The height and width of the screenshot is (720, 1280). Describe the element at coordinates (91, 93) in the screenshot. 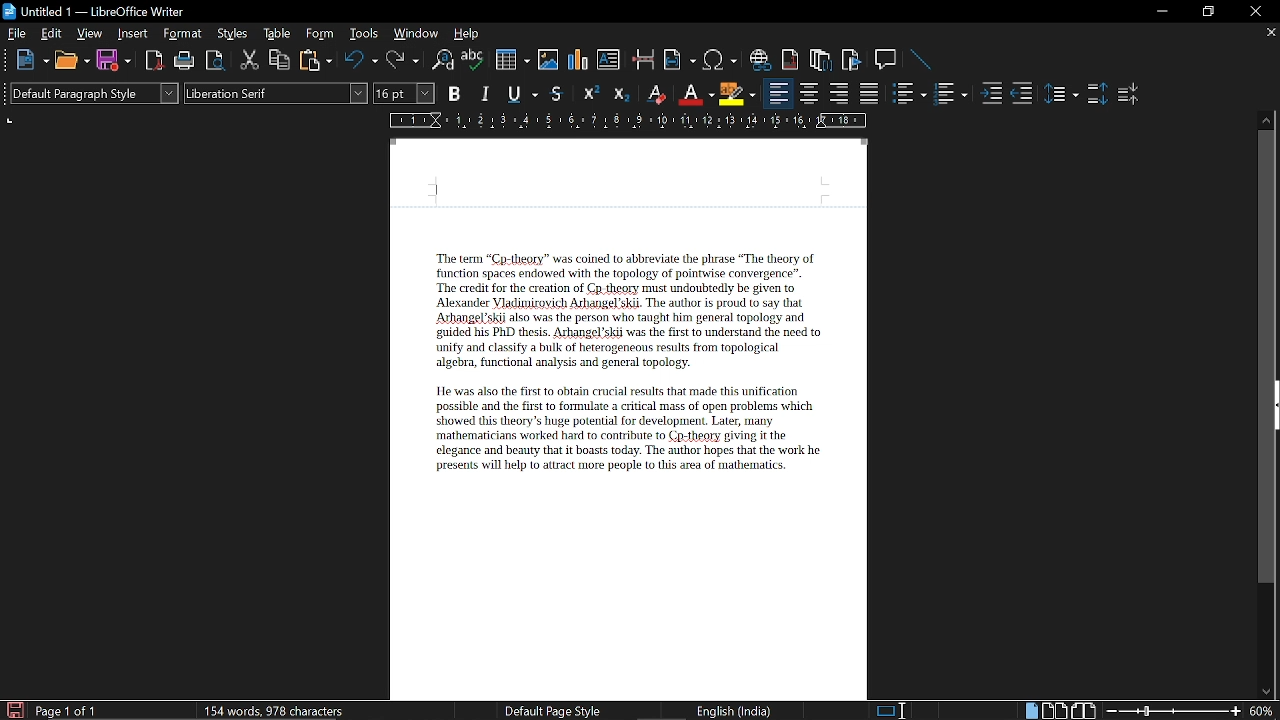

I see `Paragraph style` at that location.